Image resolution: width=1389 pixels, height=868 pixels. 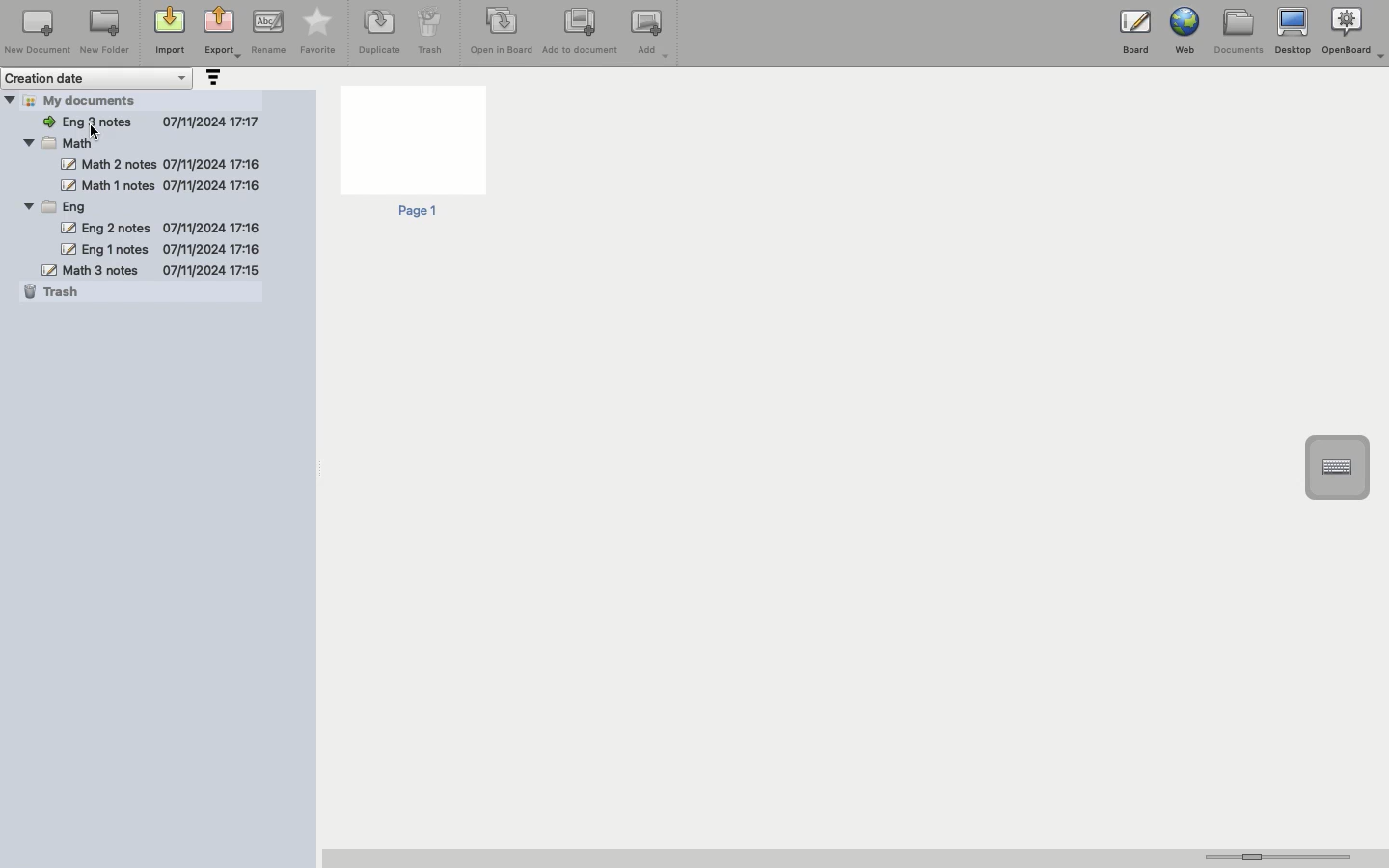 What do you see at coordinates (1238, 32) in the screenshot?
I see `Documents` at bounding box center [1238, 32].